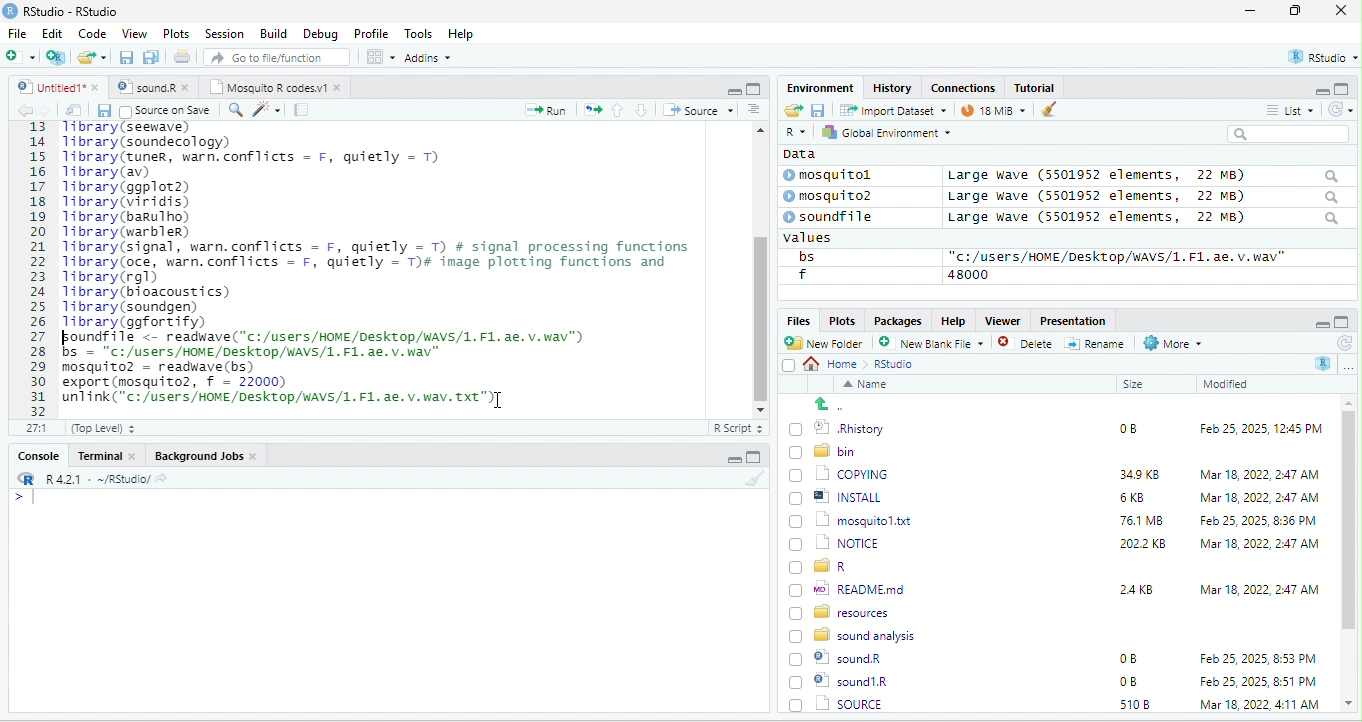 Image resolution: width=1362 pixels, height=722 pixels. Describe the element at coordinates (225, 32) in the screenshot. I see `Session` at that location.